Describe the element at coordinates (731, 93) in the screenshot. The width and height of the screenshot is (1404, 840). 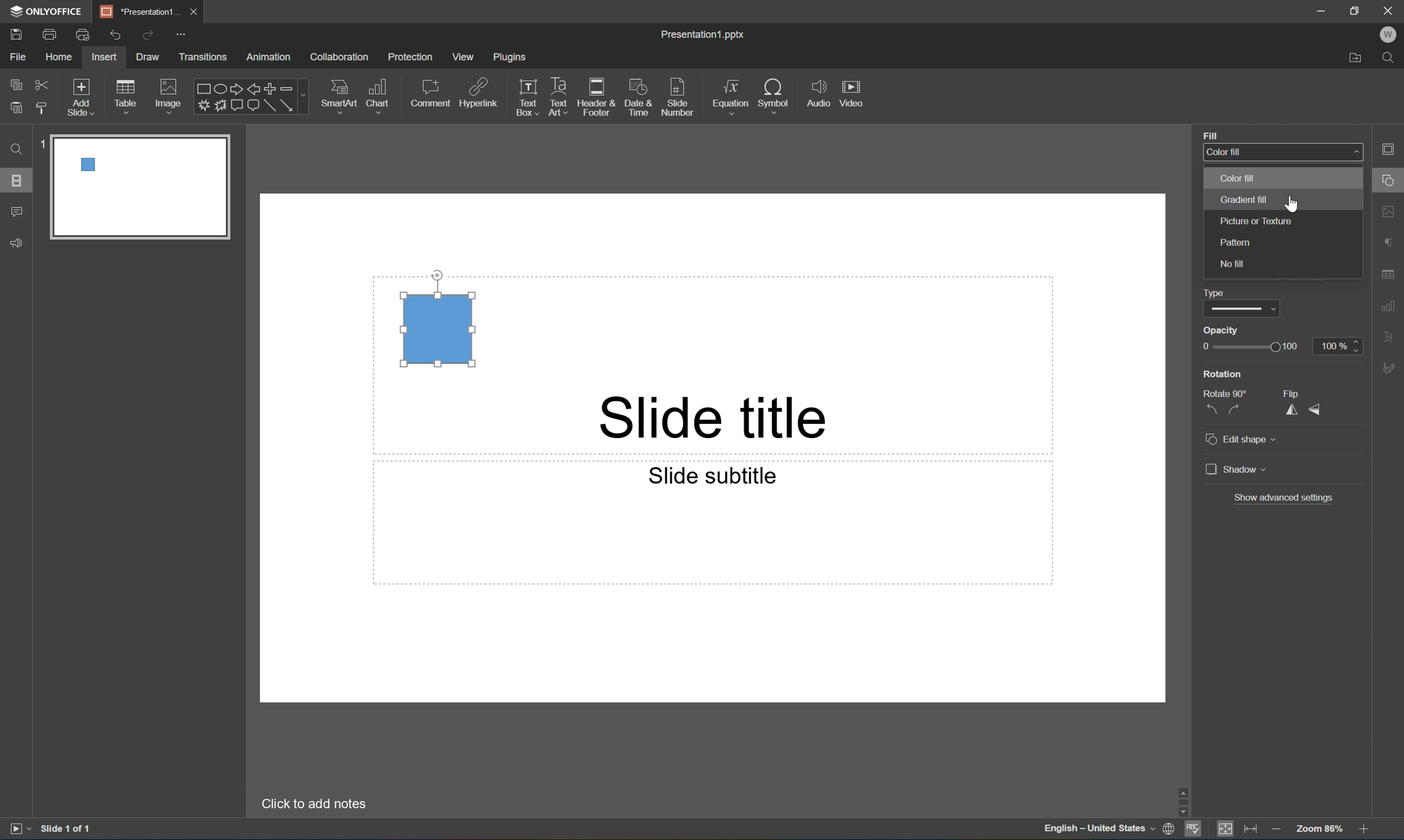
I see `Equation` at that location.